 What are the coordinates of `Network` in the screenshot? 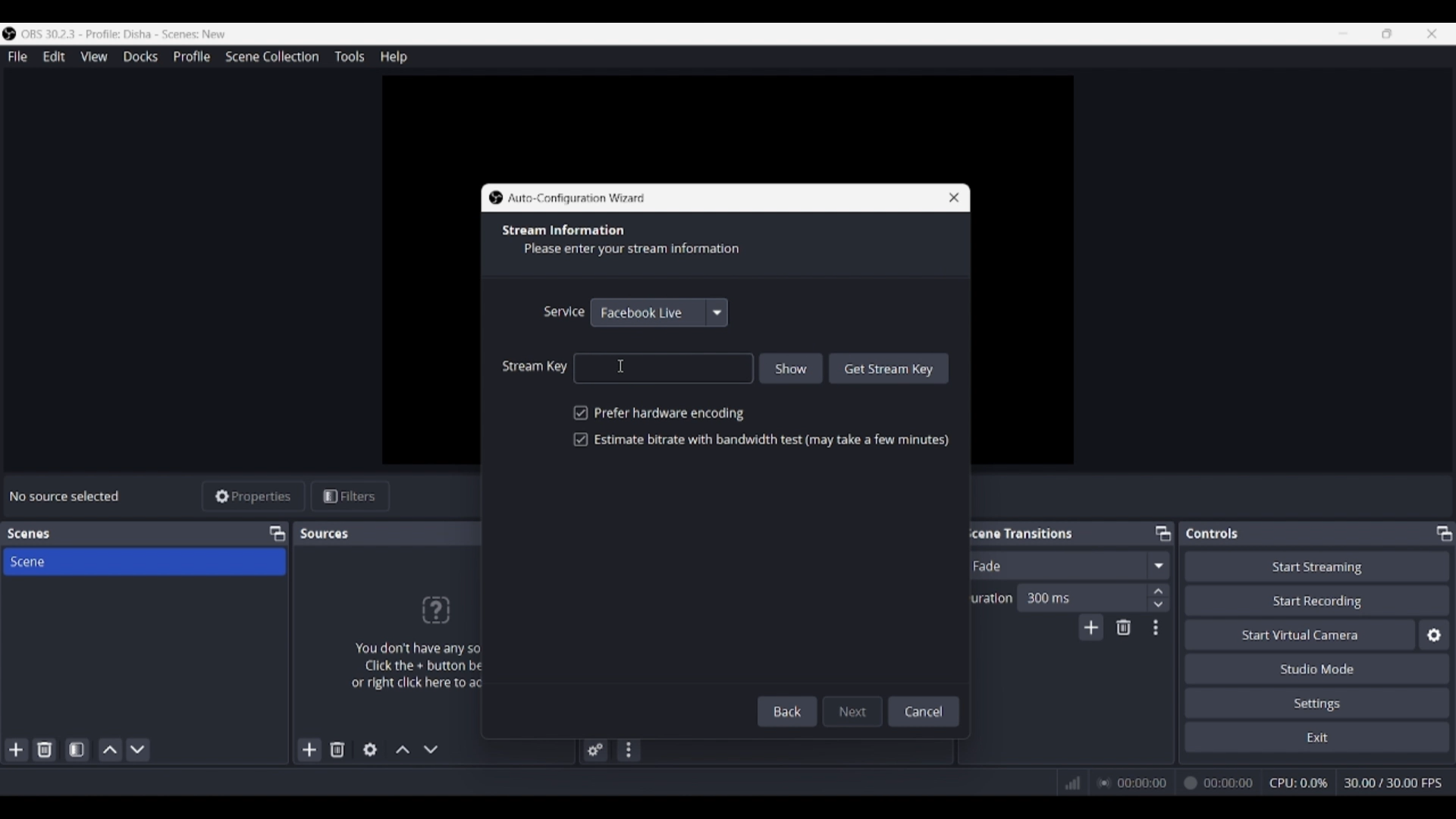 It's located at (1067, 781).